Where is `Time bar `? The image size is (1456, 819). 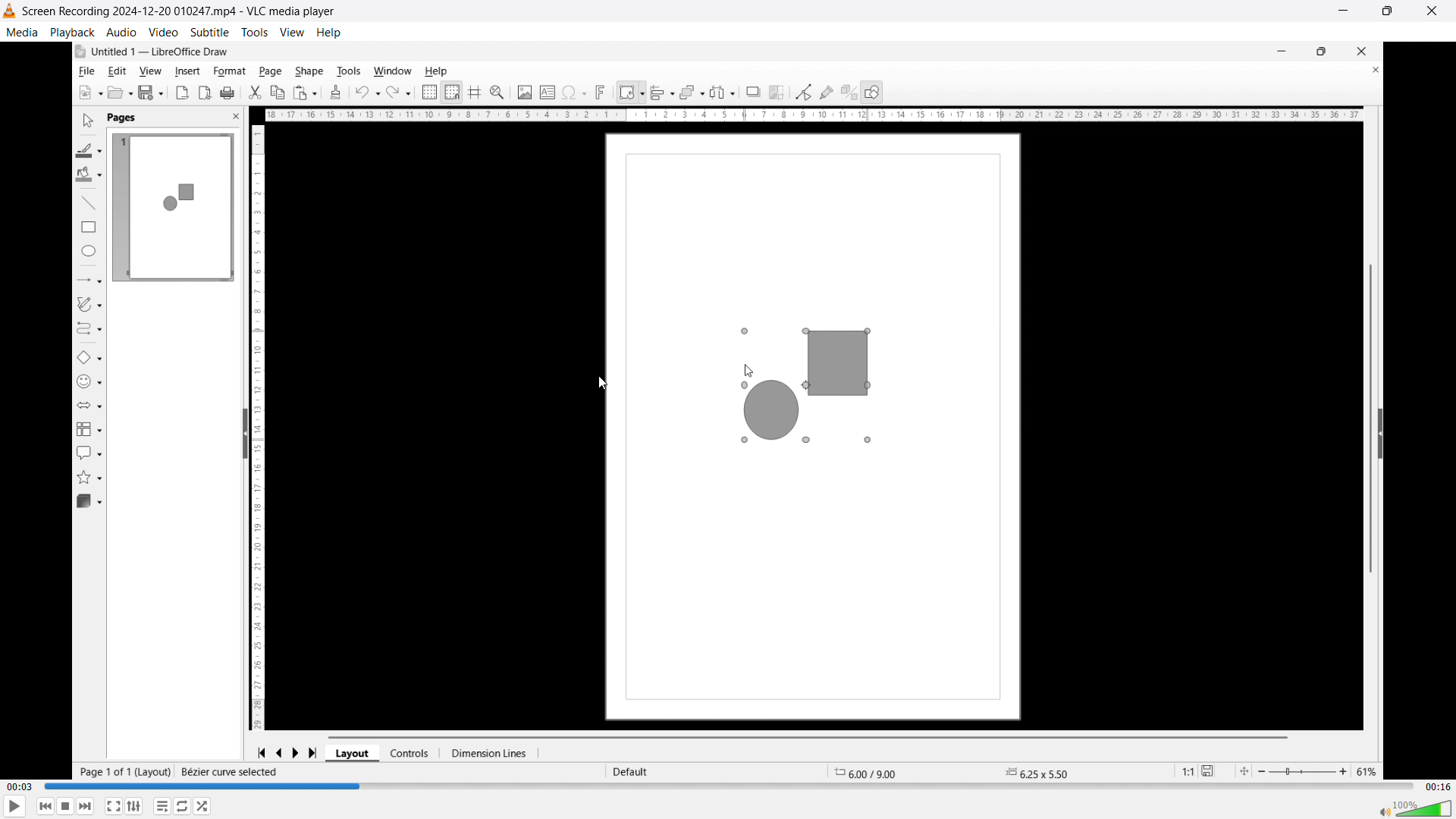 Time bar  is located at coordinates (728, 785).